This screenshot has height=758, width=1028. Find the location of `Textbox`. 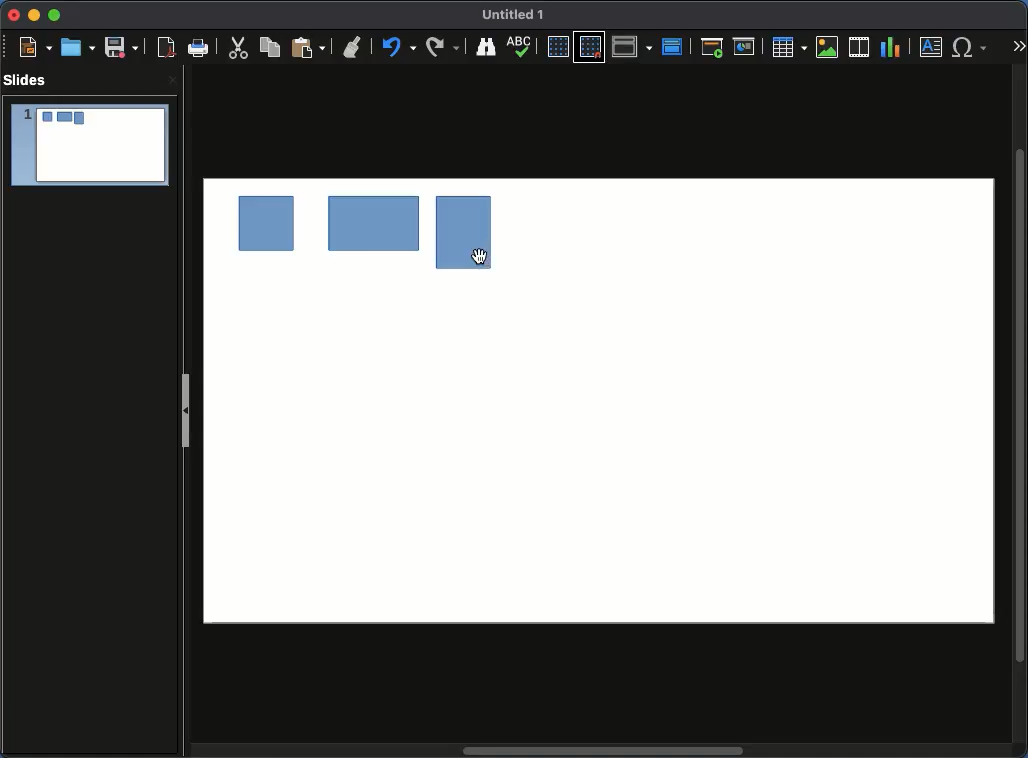

Textbox is located at coordinates (931, 48).